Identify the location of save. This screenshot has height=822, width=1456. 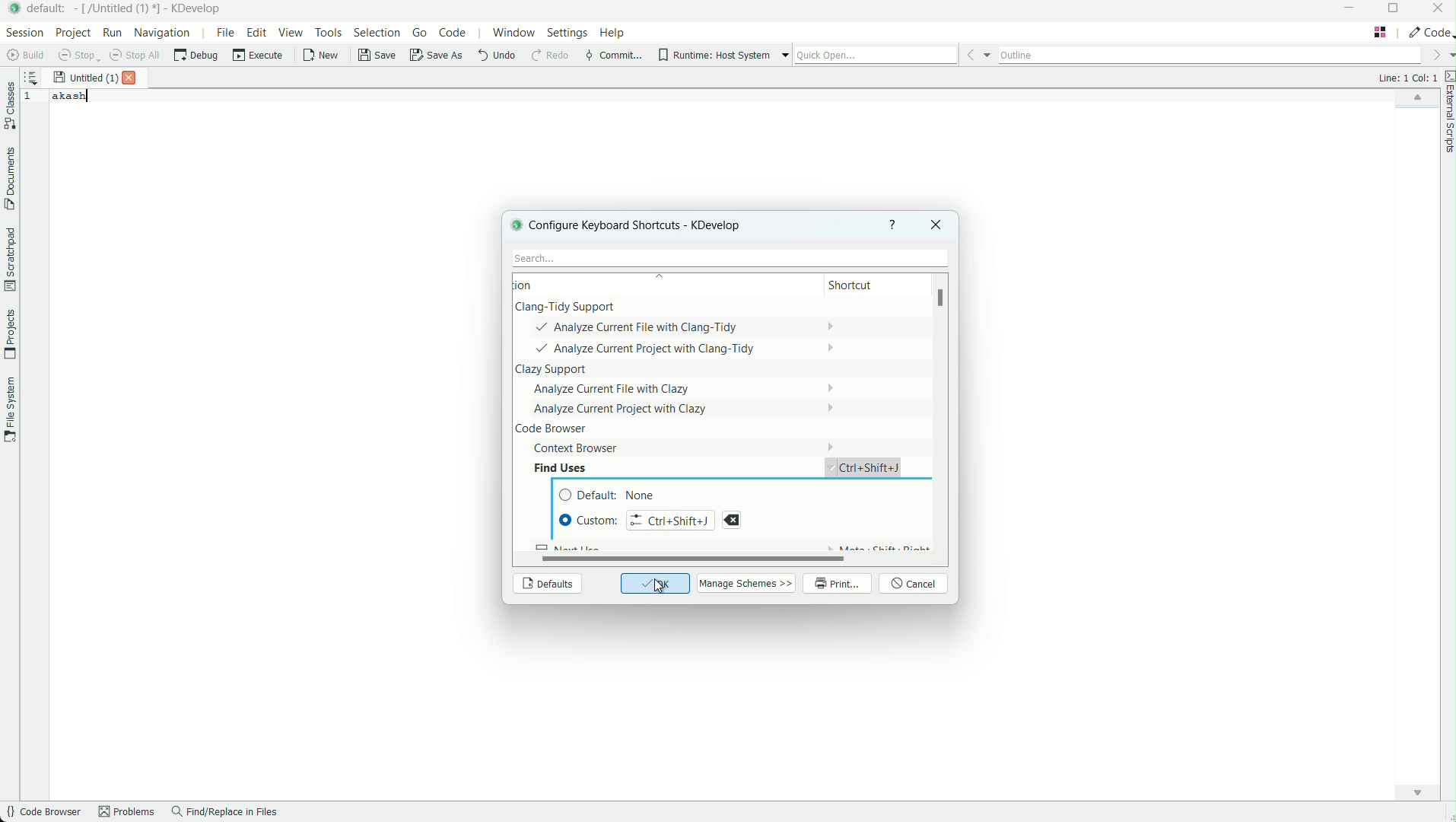
(378, 56).